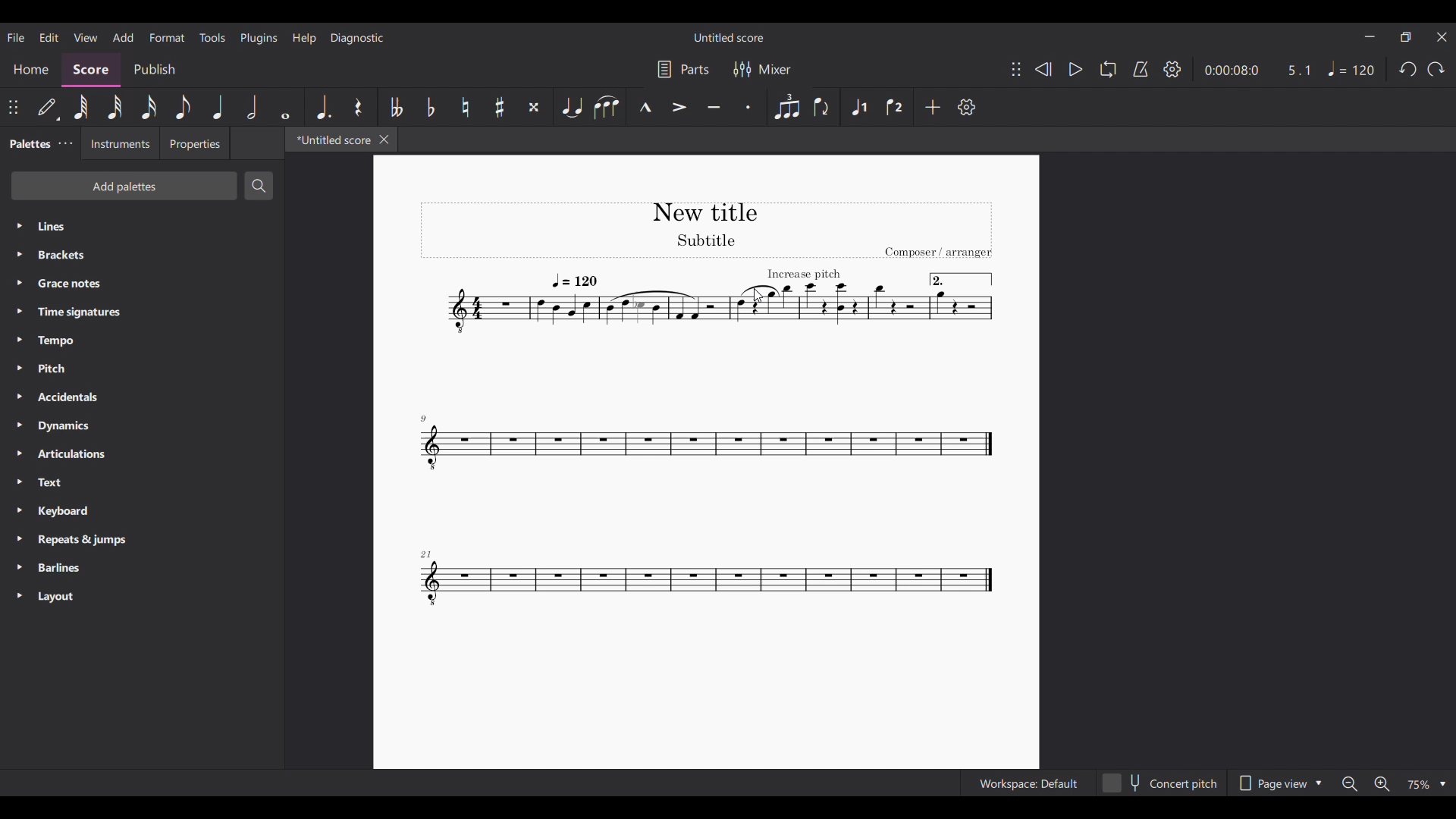 Image resolution: width=1456 pixels, height=819 pixels. Describe the element at coordinates (115, 108) in the screenshot. I see `32nd note` at that location.